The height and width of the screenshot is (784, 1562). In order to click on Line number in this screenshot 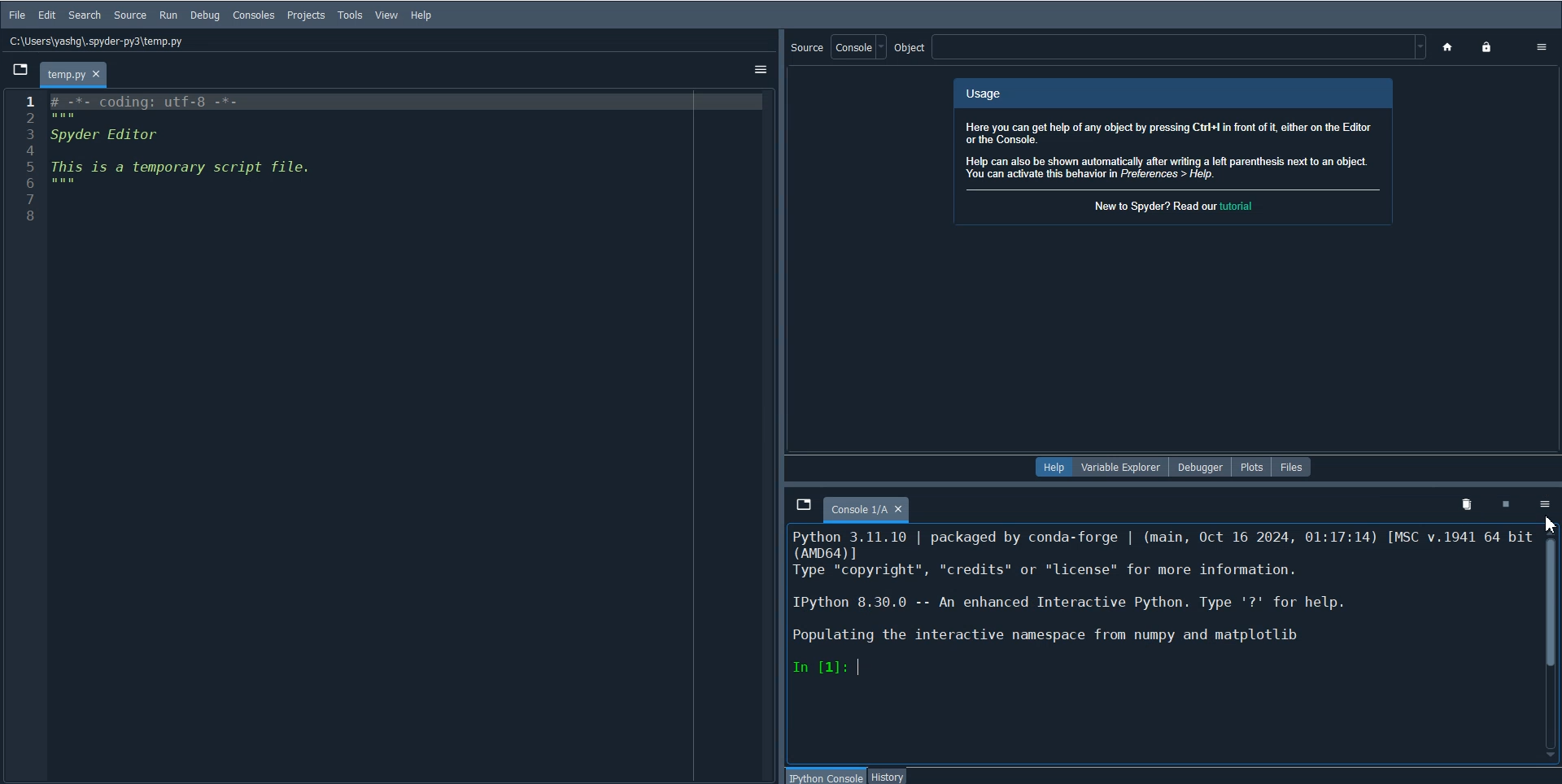, I will do `click(27, 160)`.